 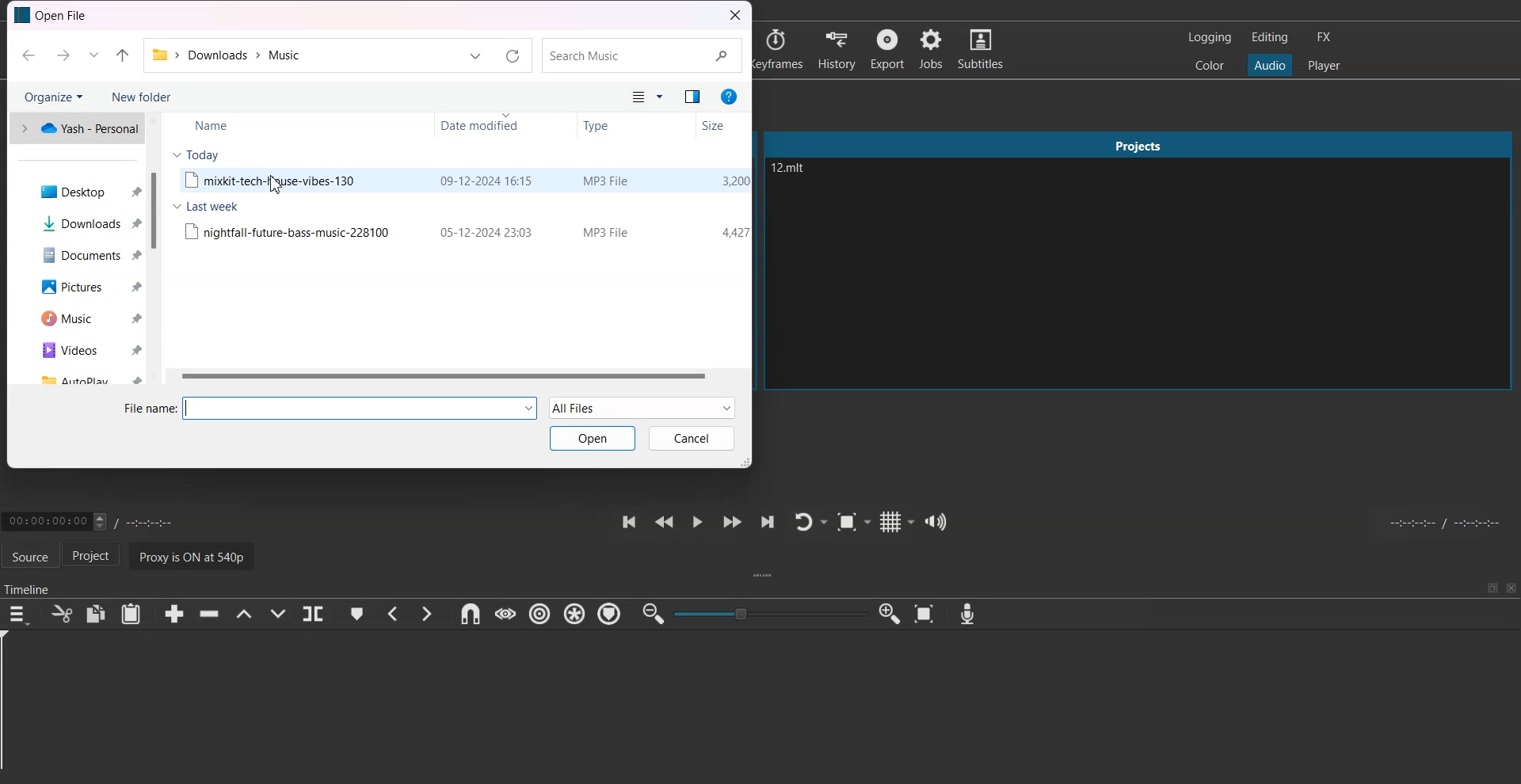 I want to click on Project, so click(x=1139, y=142).